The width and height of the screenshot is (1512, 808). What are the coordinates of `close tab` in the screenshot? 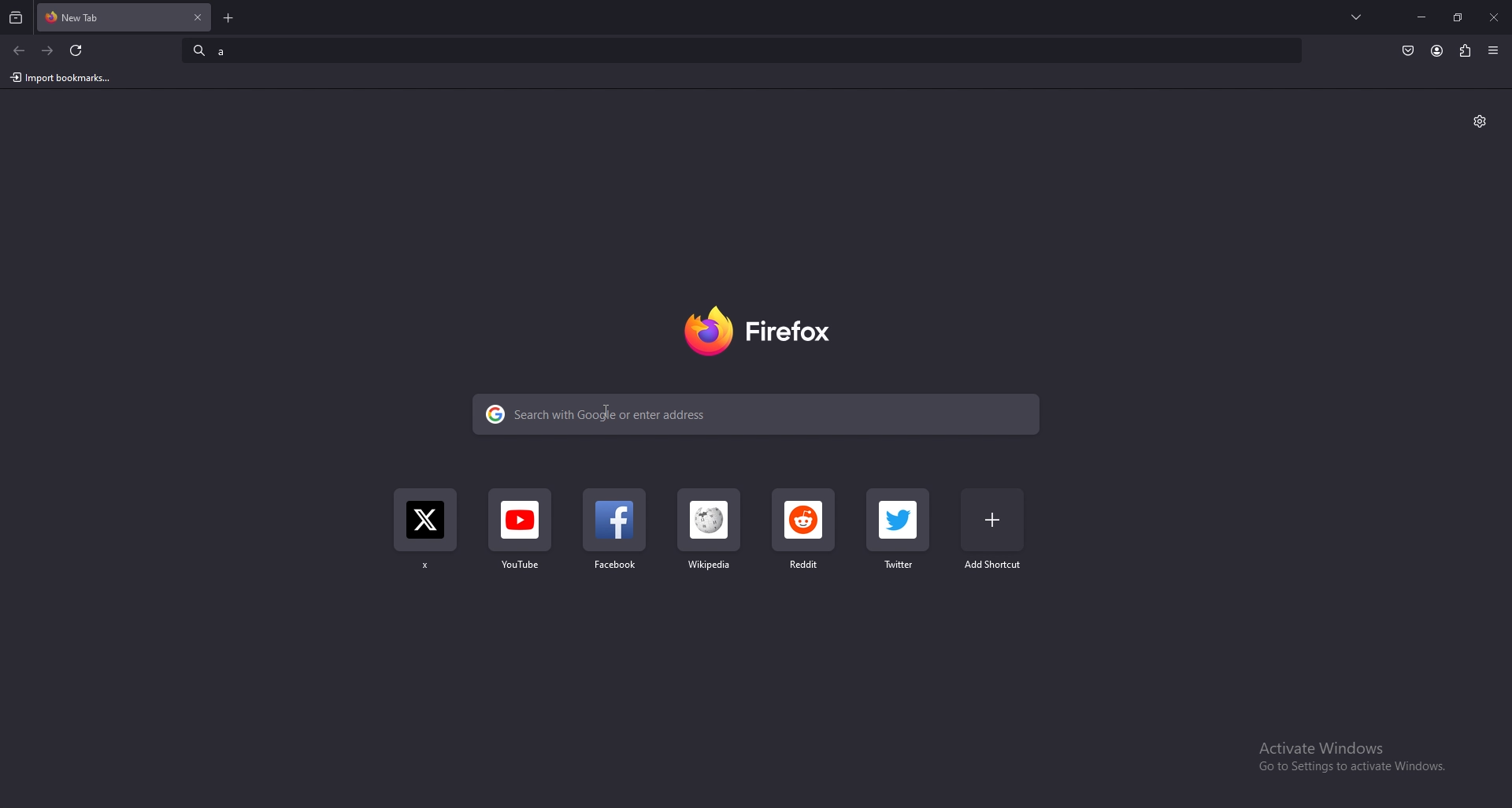 It's located at (197, 17).